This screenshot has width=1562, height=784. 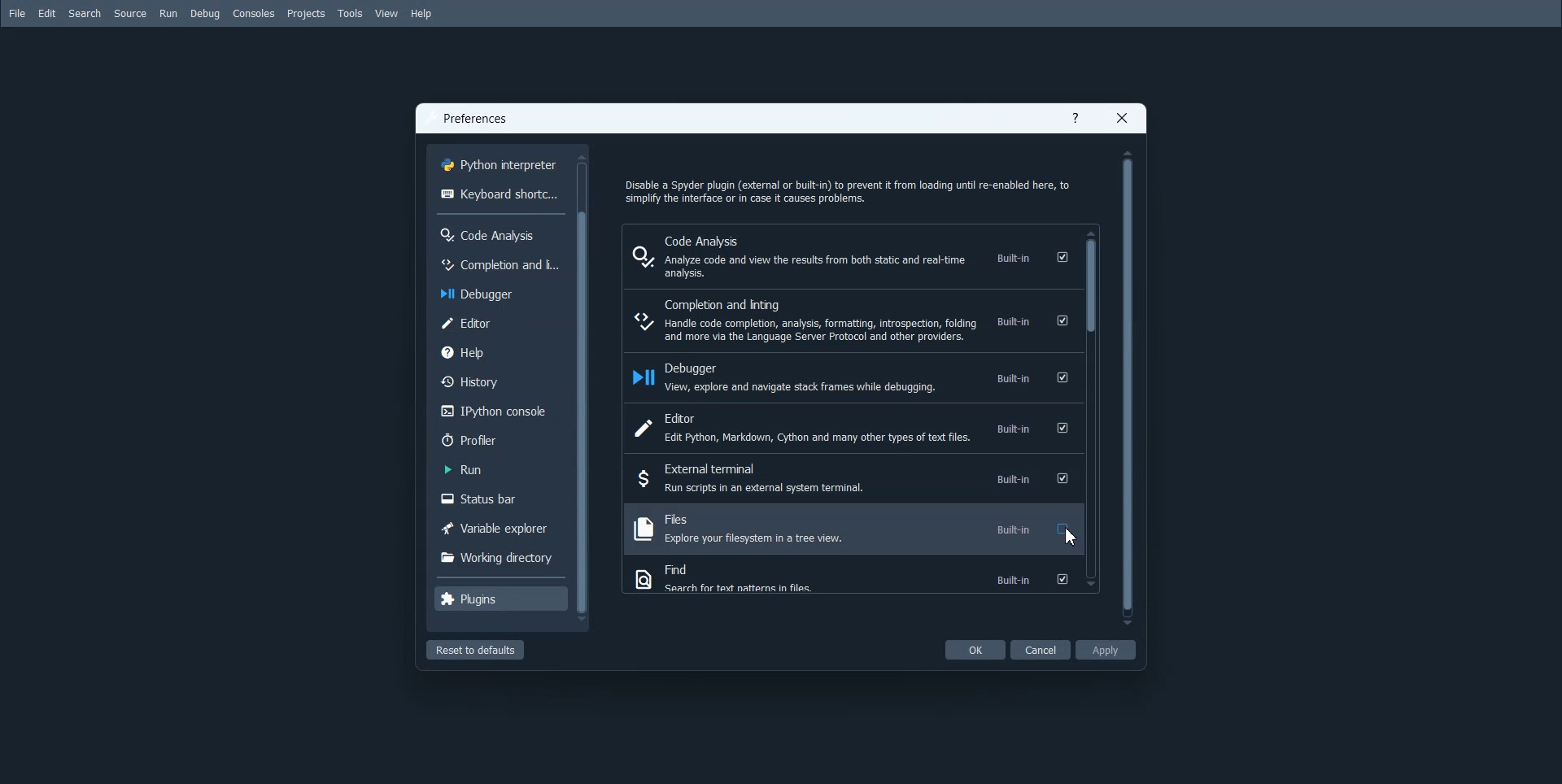 I want to click on Working directory, so click(x=498, y=555).